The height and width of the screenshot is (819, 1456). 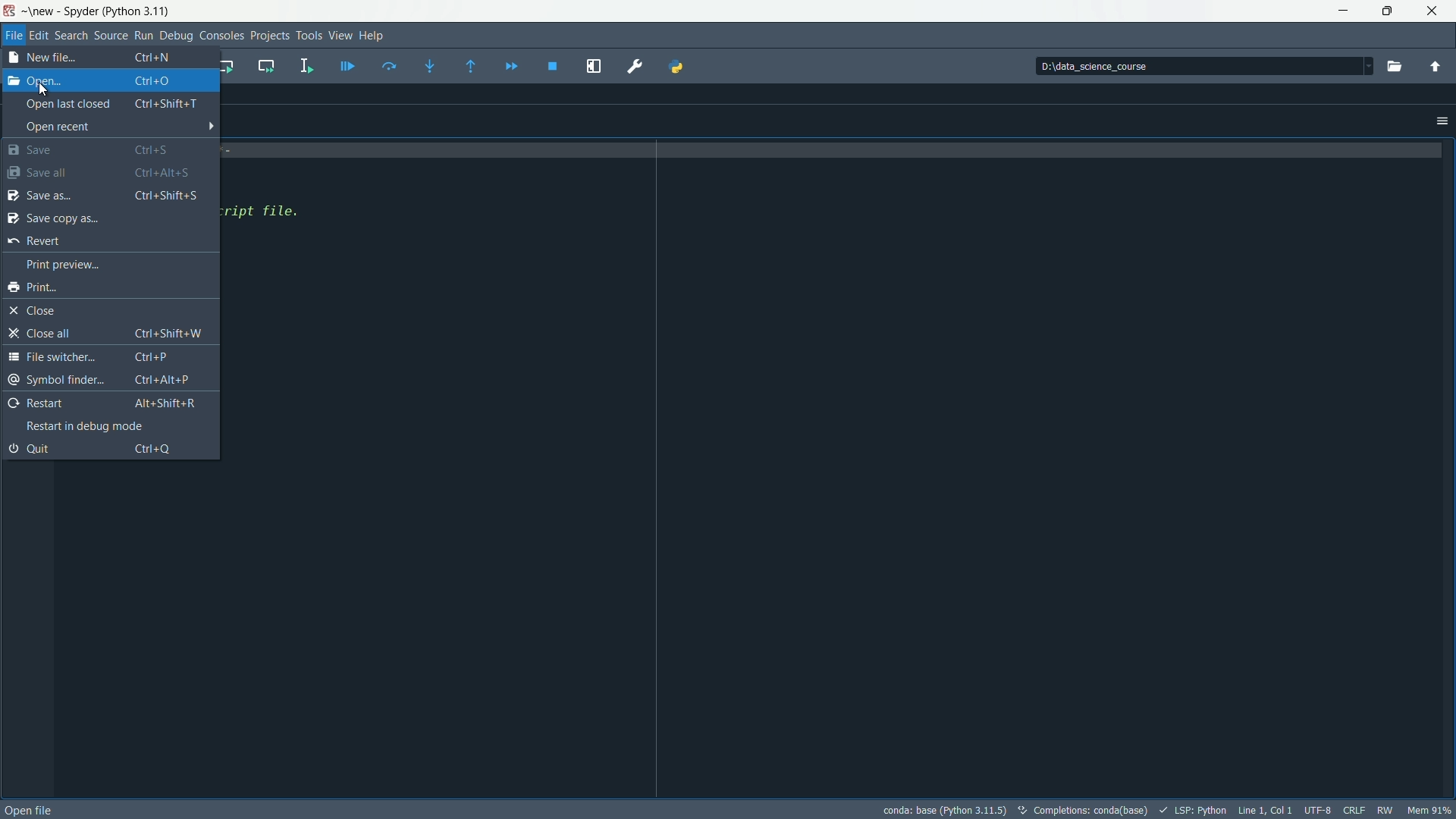 I want to click on run current cell, so click(x=229, y=67).